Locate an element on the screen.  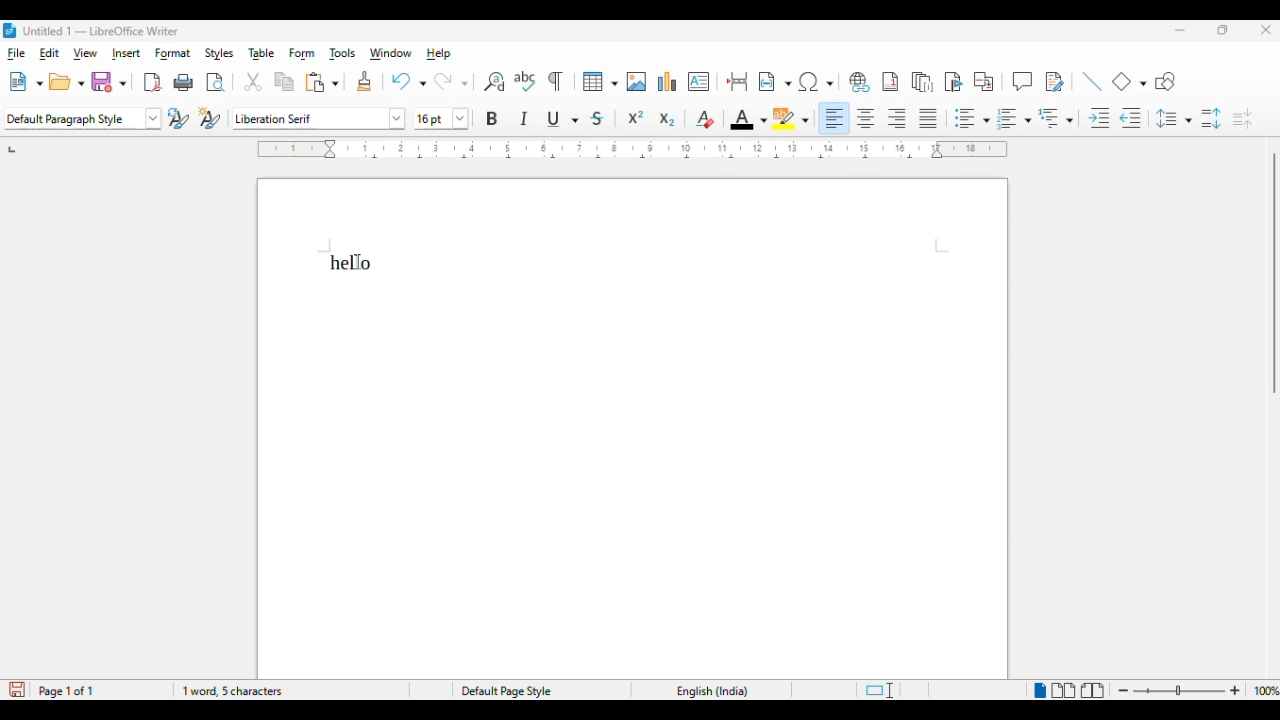
file is located at coordinates (15, 53).